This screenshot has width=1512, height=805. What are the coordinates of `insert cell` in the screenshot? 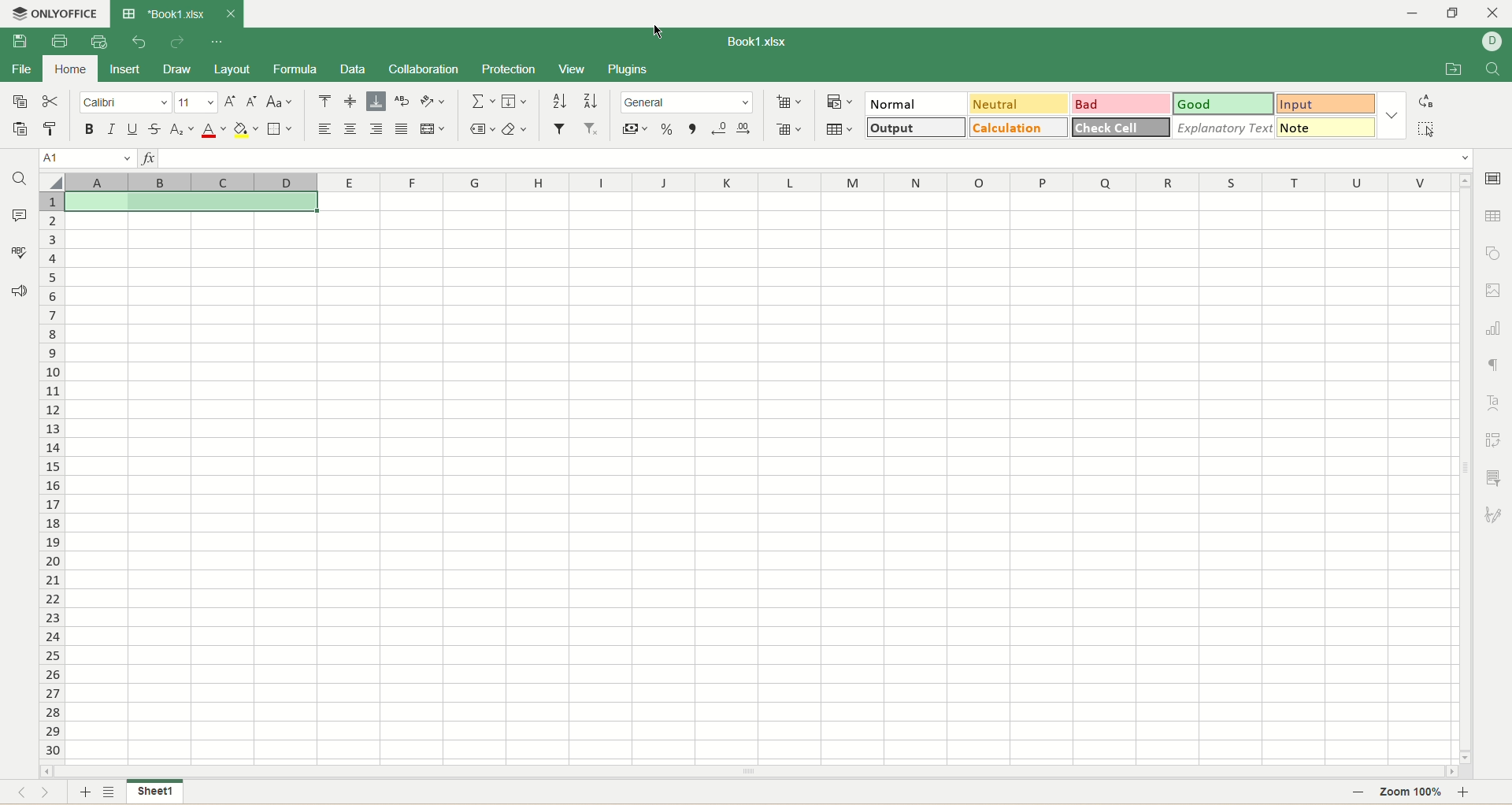 It's located at (789, 103).